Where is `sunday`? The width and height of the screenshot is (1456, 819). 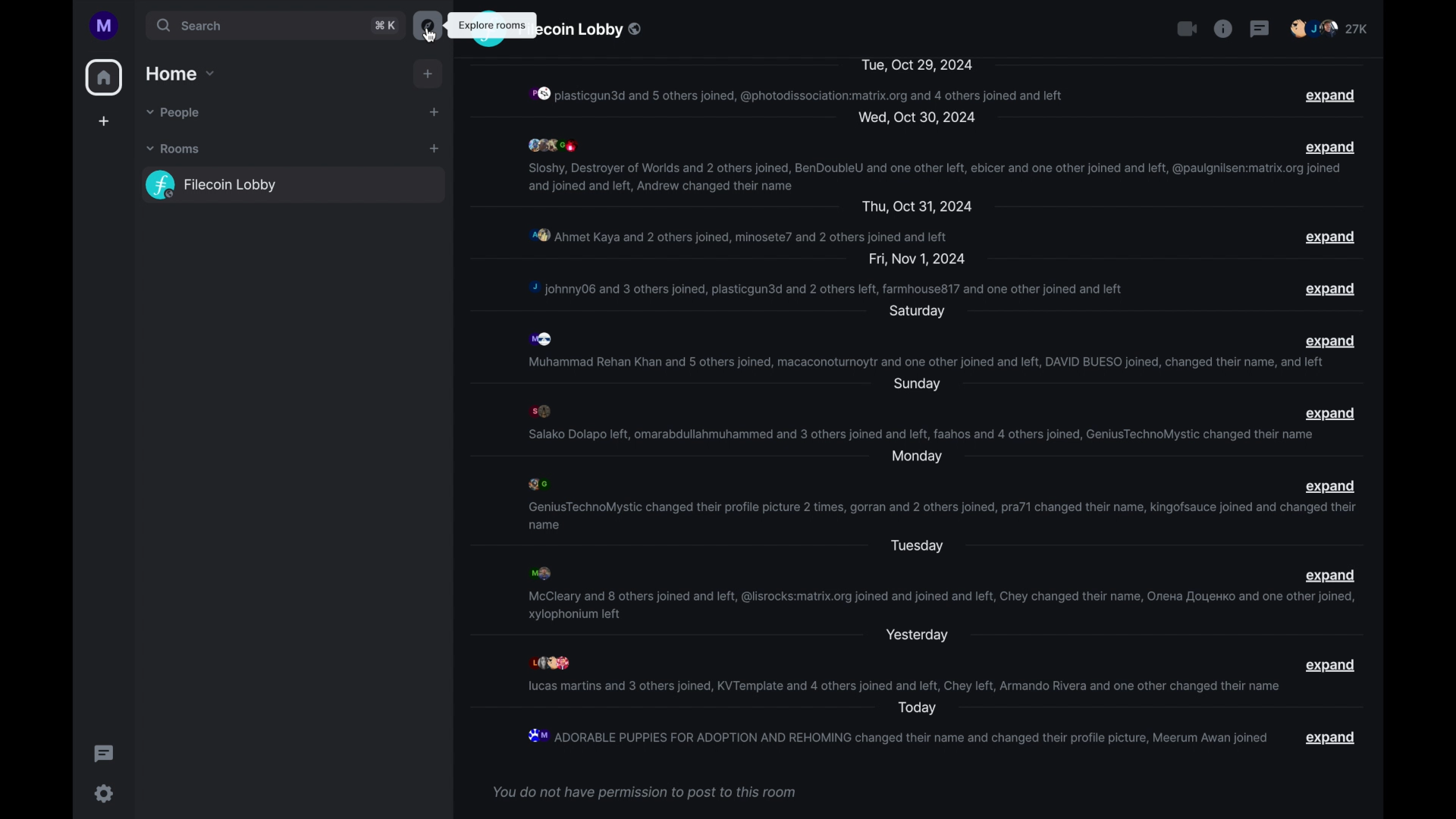 sunday is located at coordinates (916, 384).